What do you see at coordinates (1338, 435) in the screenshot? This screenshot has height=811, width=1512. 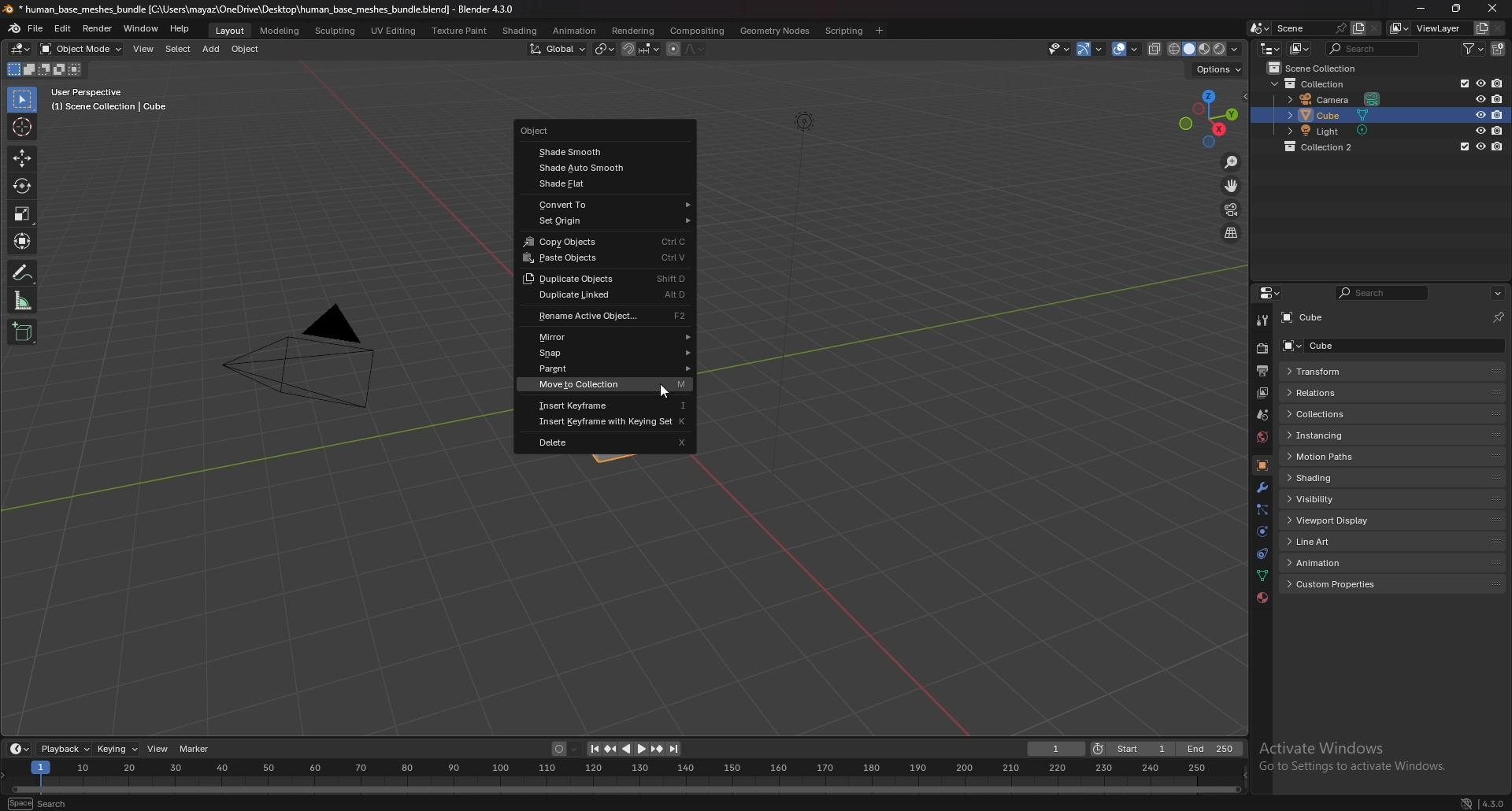 I see `instancing` at bounding box center [1338, 435].